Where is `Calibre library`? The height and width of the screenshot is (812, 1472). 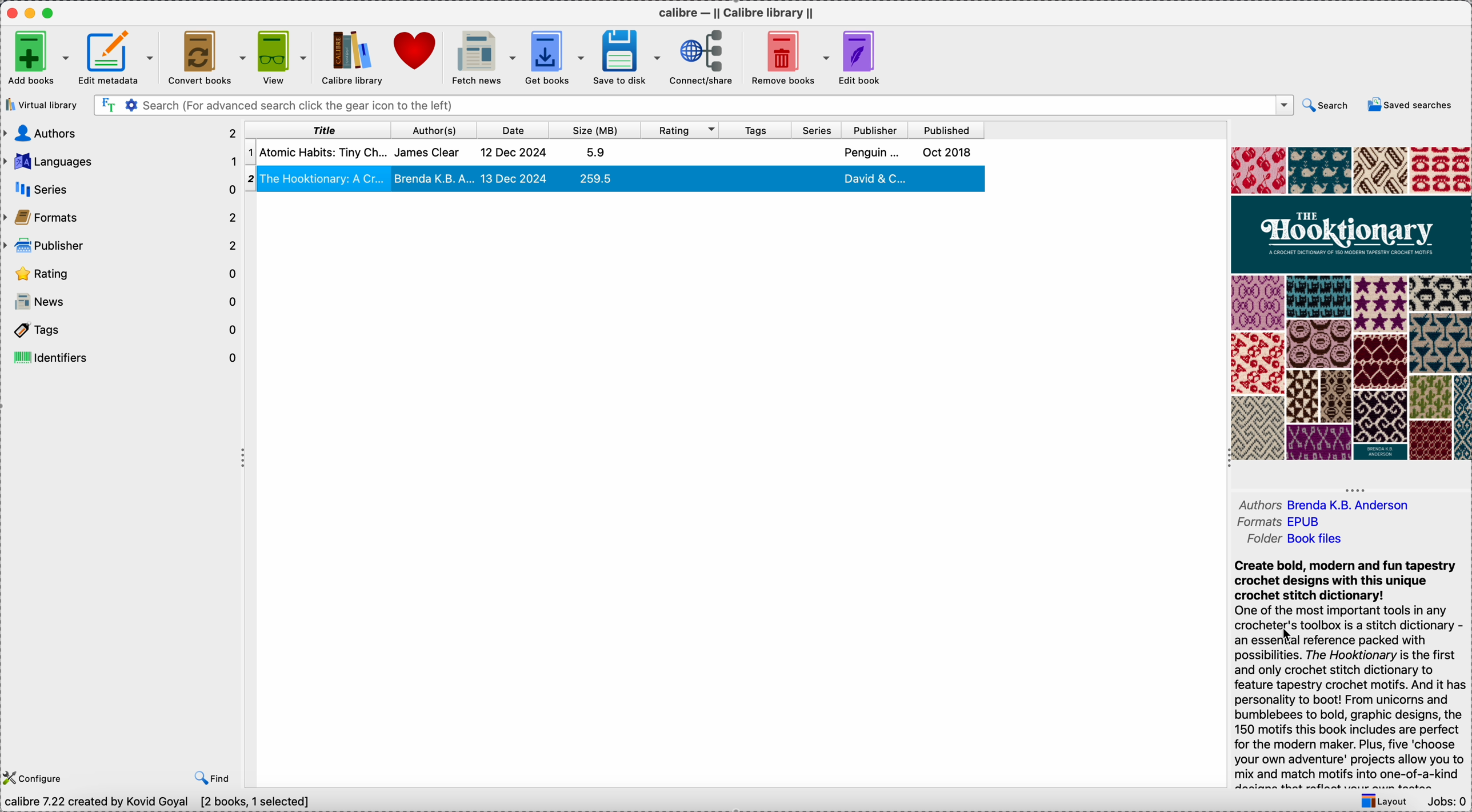 Calibre library is located at coordinates (352, 59).